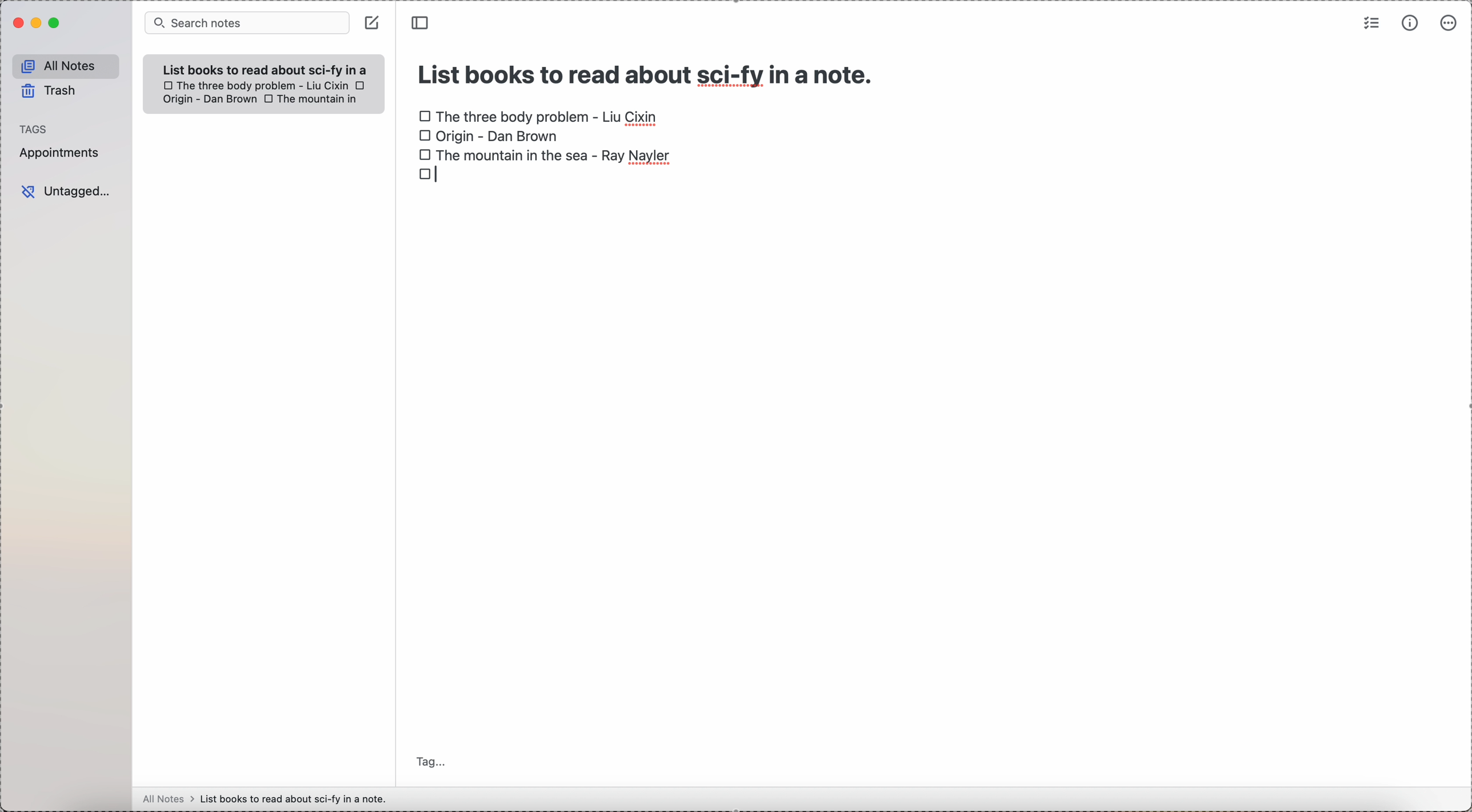 This screenshot has height=812, width=1472. Describe the element at coordinates (50, 91) in the screenshot. I see `trash` at that location.